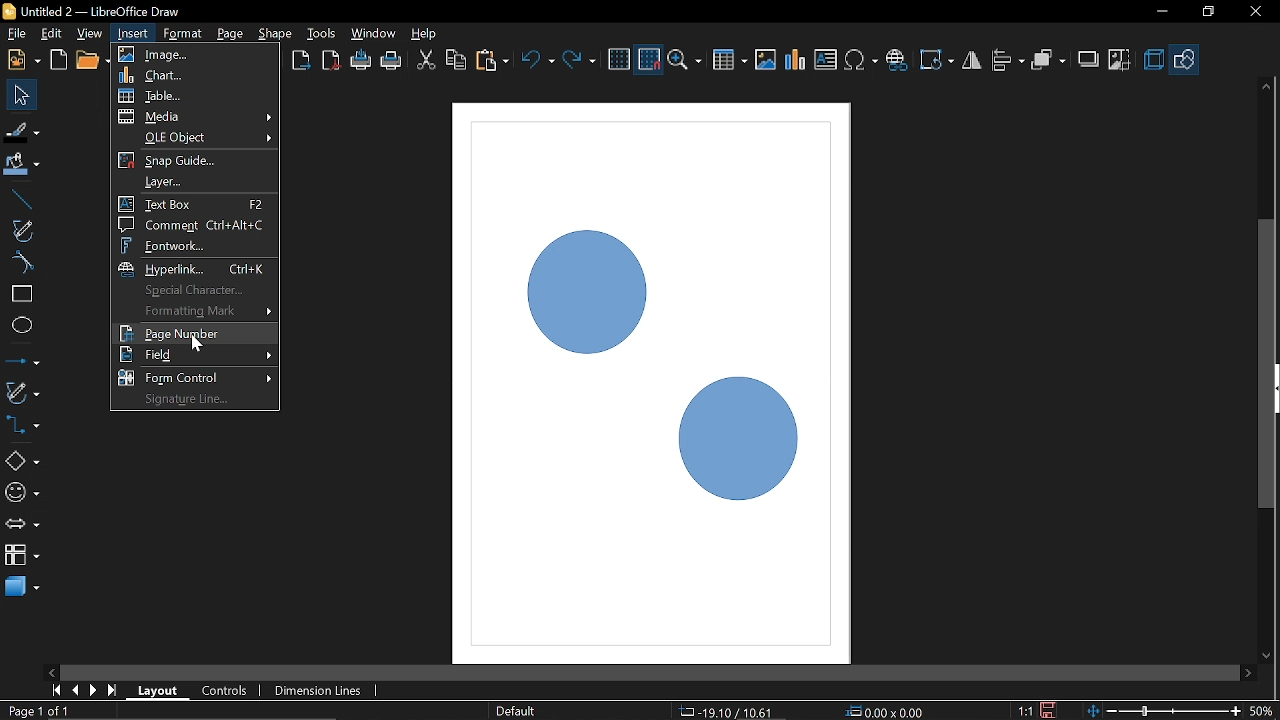 The width and height of the screenshot is (1280, 720). Describe the element at coordinates (50, 669) in the screenshot. I see `Move left` at that location.